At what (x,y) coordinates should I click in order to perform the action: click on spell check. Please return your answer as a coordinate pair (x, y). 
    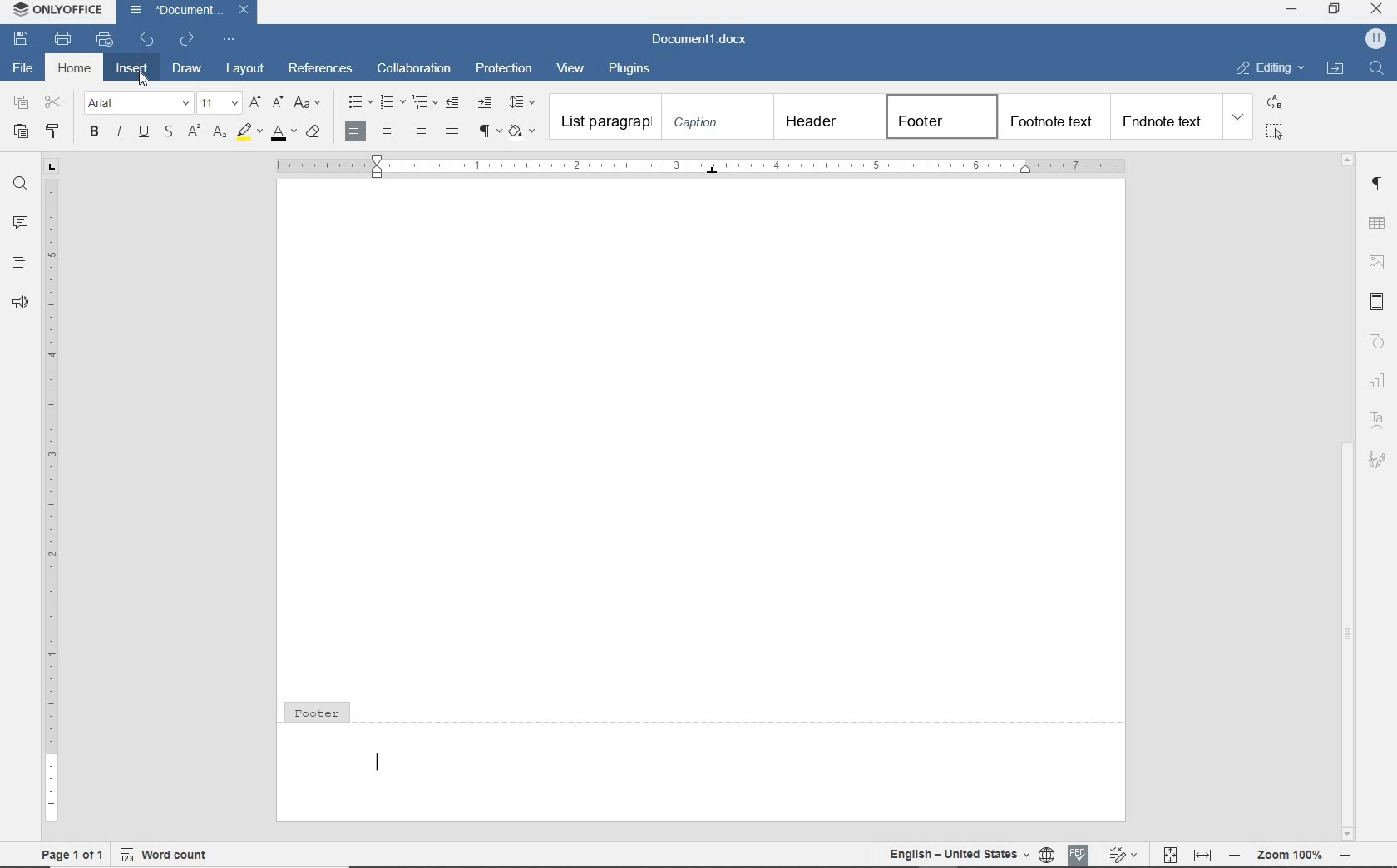
    Looking at the image, I should click on (1079, 856).